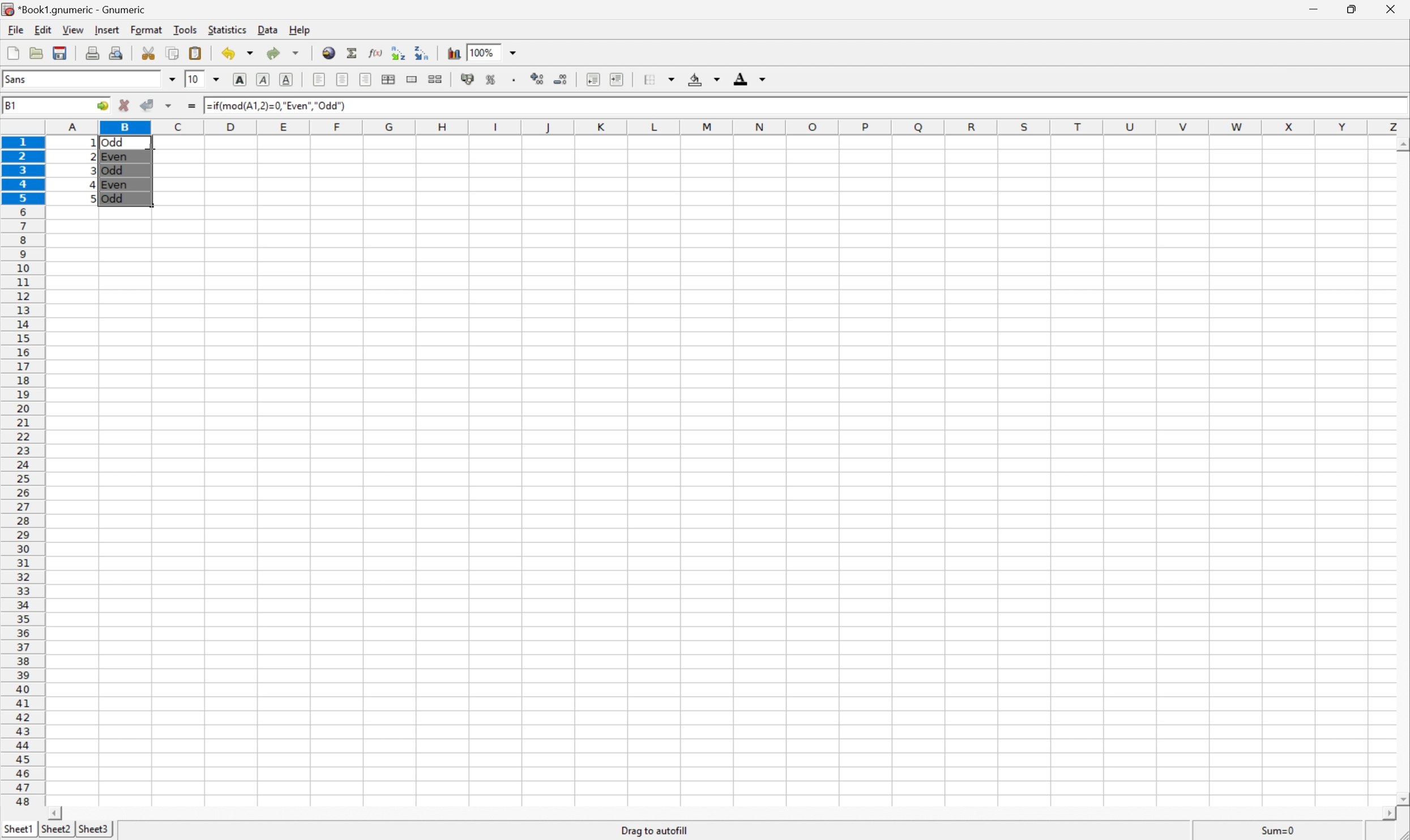 The width and height of the screenshot is (1410, 840). Describe the element at coordinates (118, 183) in the screenshot. I see `Even` at that location.